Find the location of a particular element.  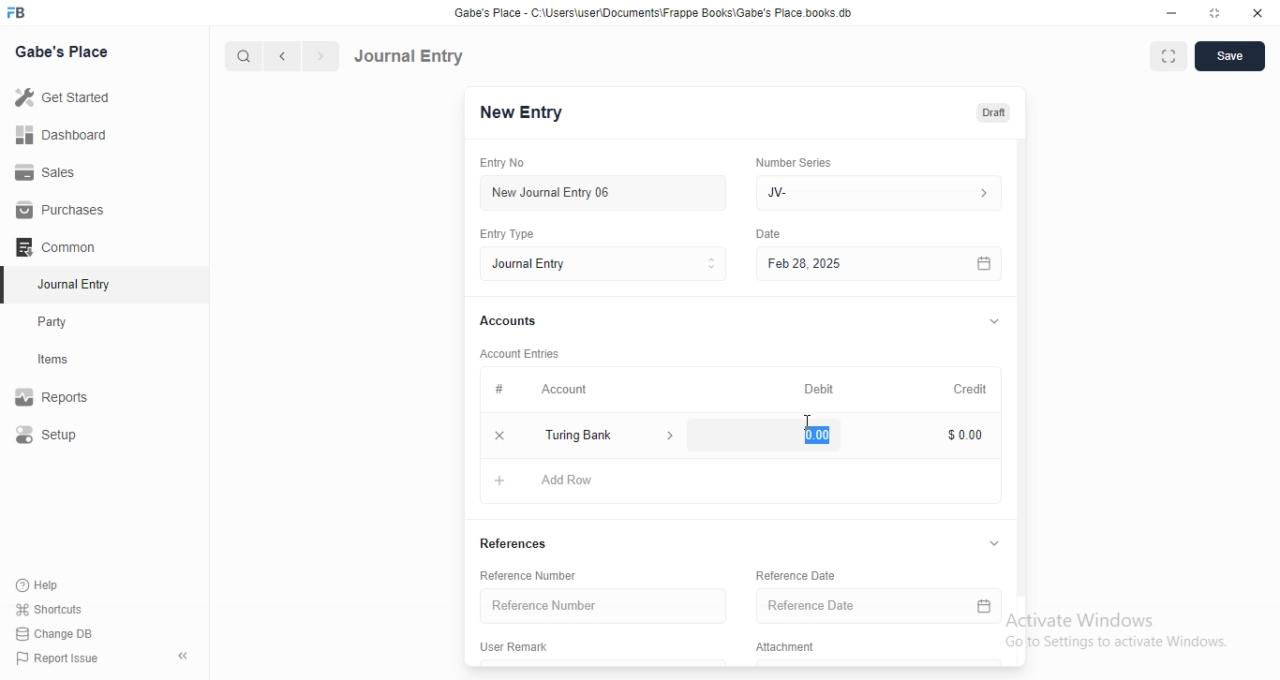

‘Account Entries. is located at coordinates (528, 352).